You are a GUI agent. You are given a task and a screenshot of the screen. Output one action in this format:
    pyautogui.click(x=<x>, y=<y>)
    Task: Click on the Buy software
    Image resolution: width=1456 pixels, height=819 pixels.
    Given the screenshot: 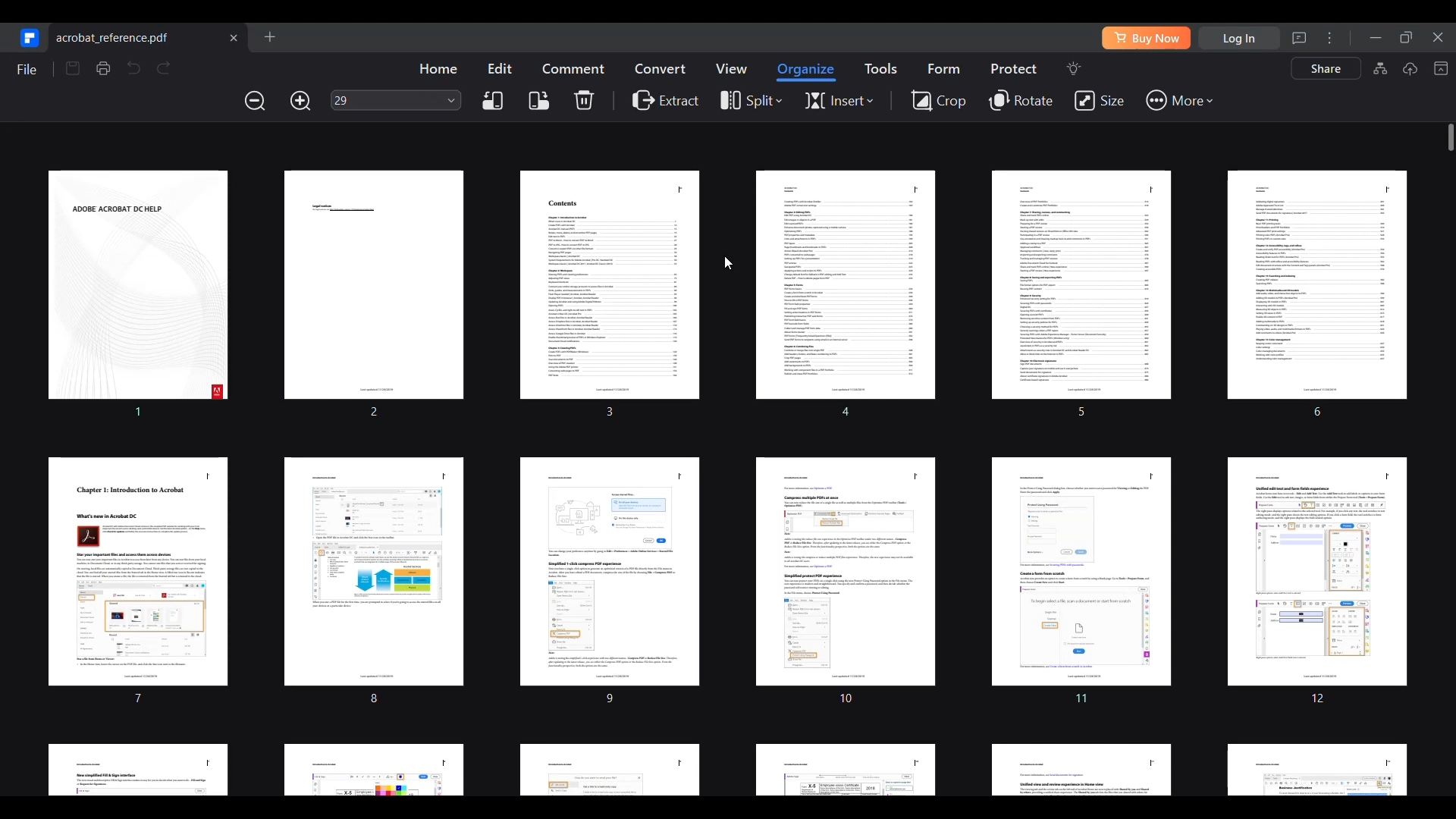 What is the action you would take?
    pyautogui.click(x=1146, y=38)
    